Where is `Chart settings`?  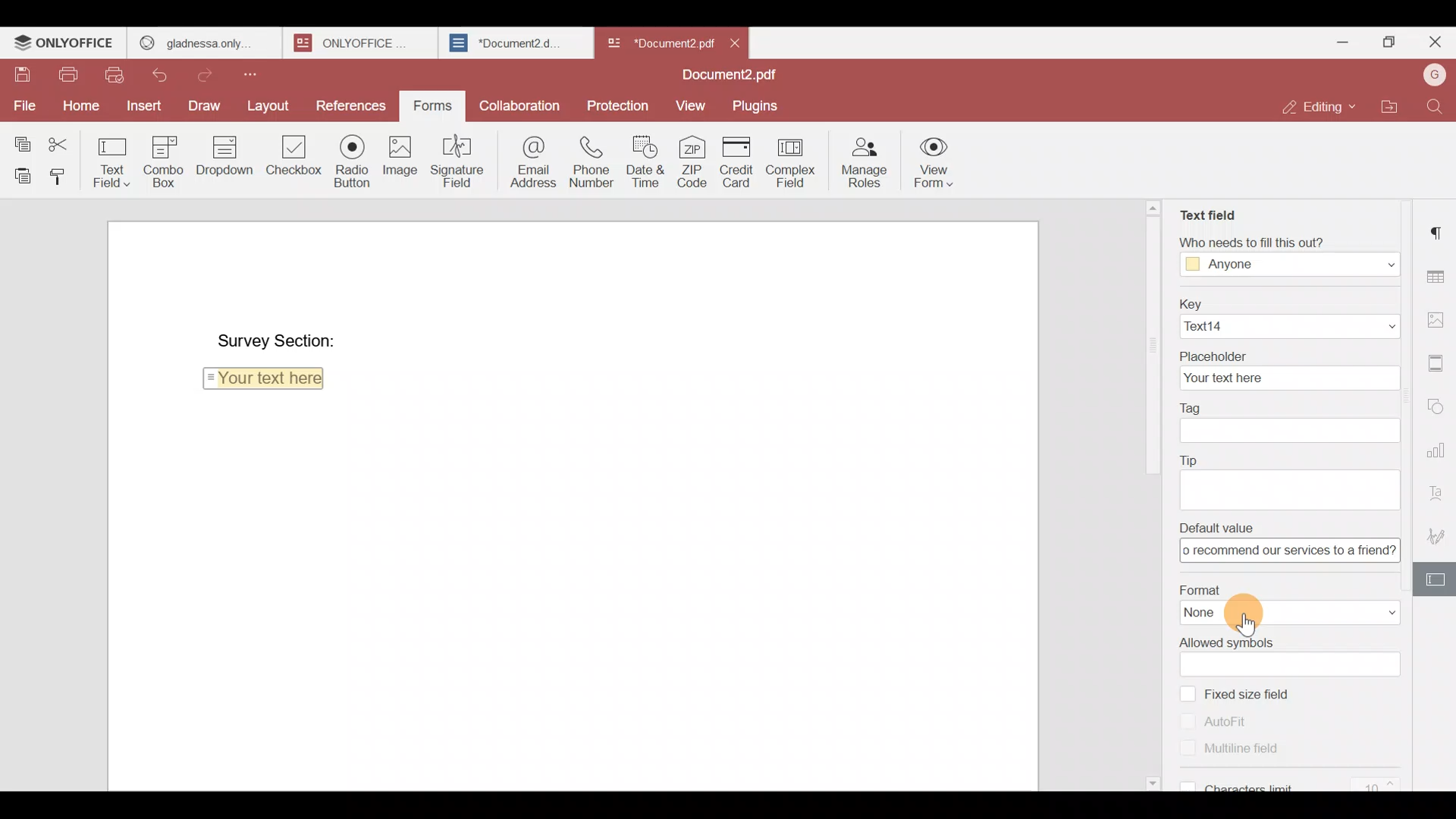
Chart settings is located at coordinates (1438, 450).